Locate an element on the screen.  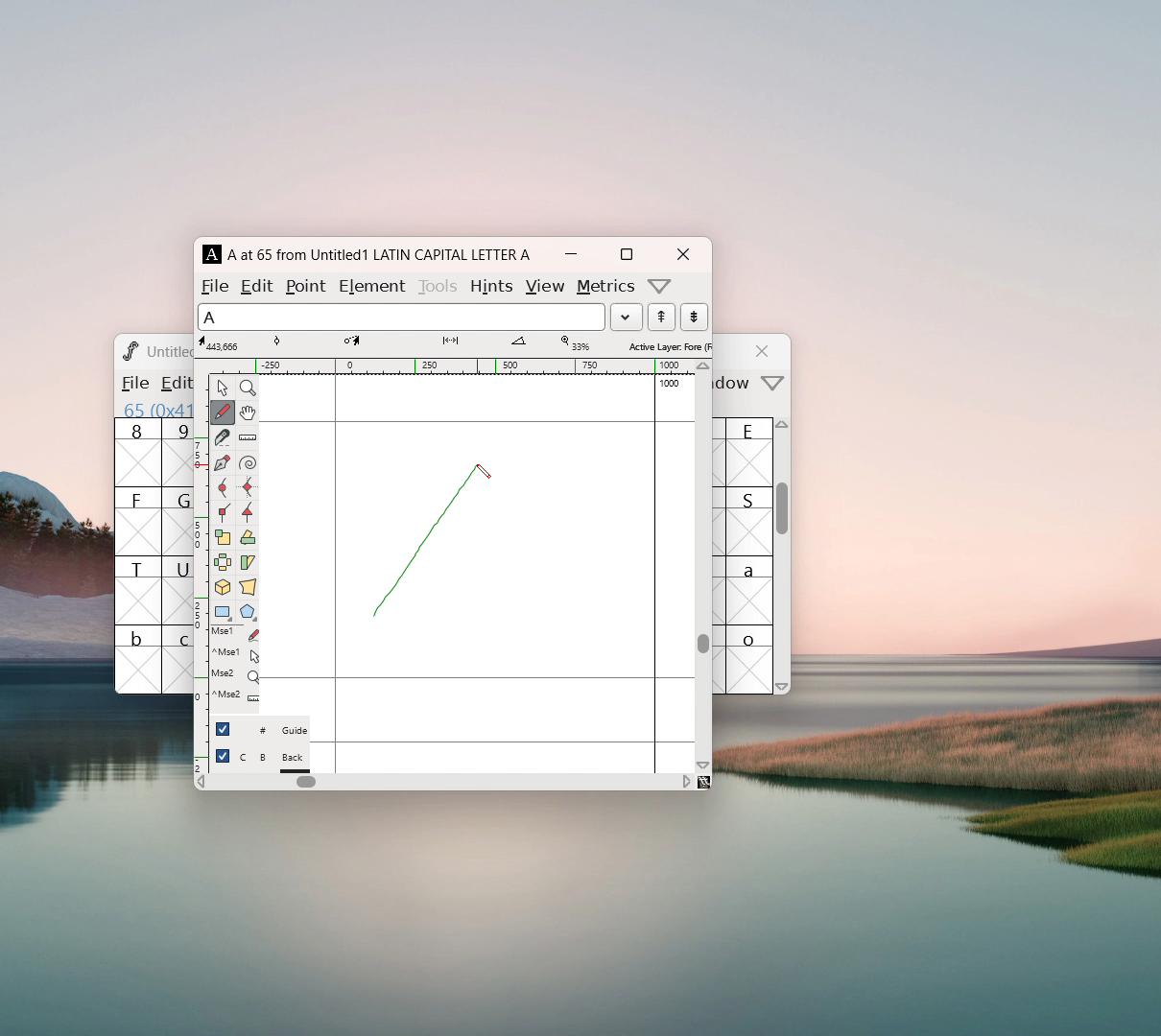
selected layer is located at coordinates (667, 345).